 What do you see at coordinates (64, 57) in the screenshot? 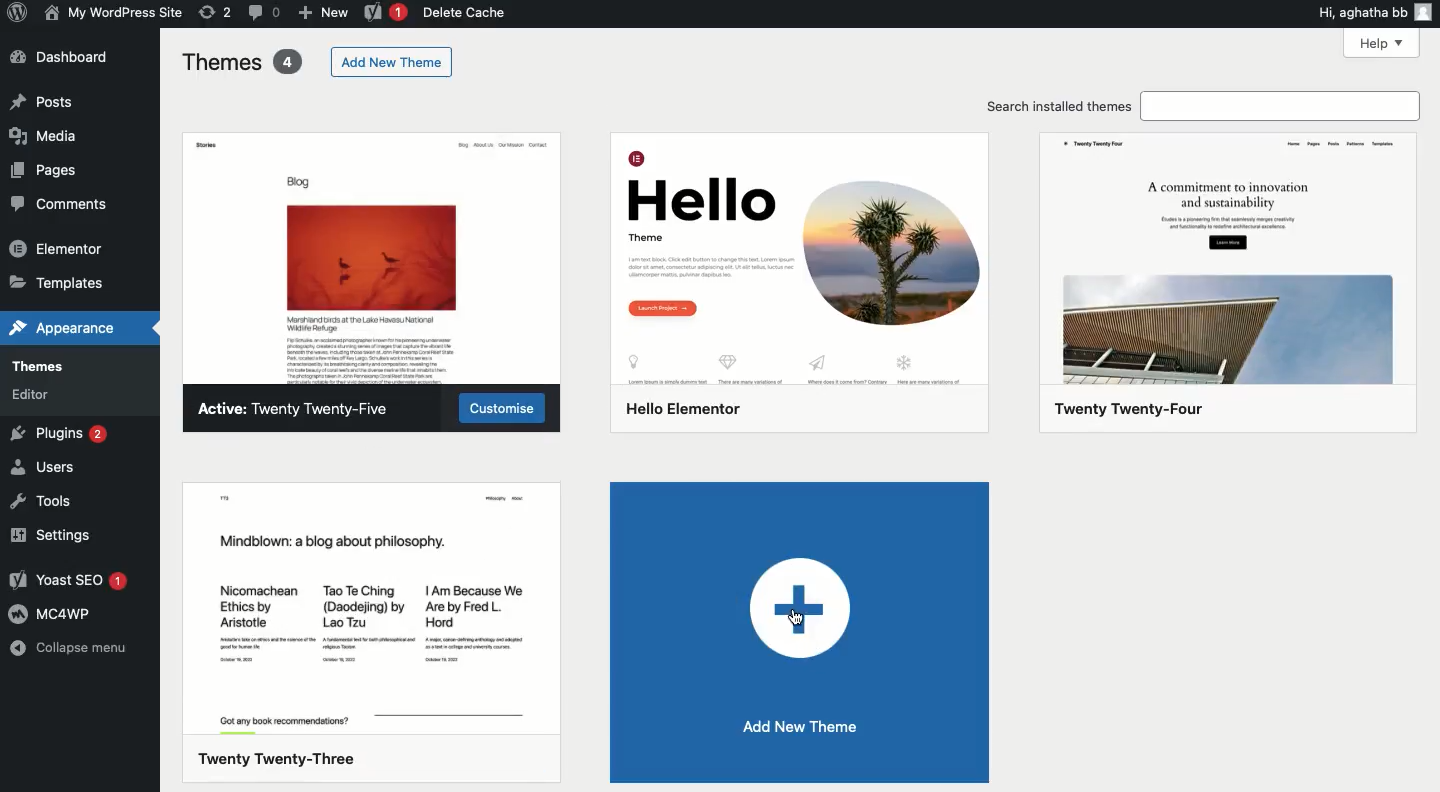
I see `Dashboard` at bounding box center [64, 57].